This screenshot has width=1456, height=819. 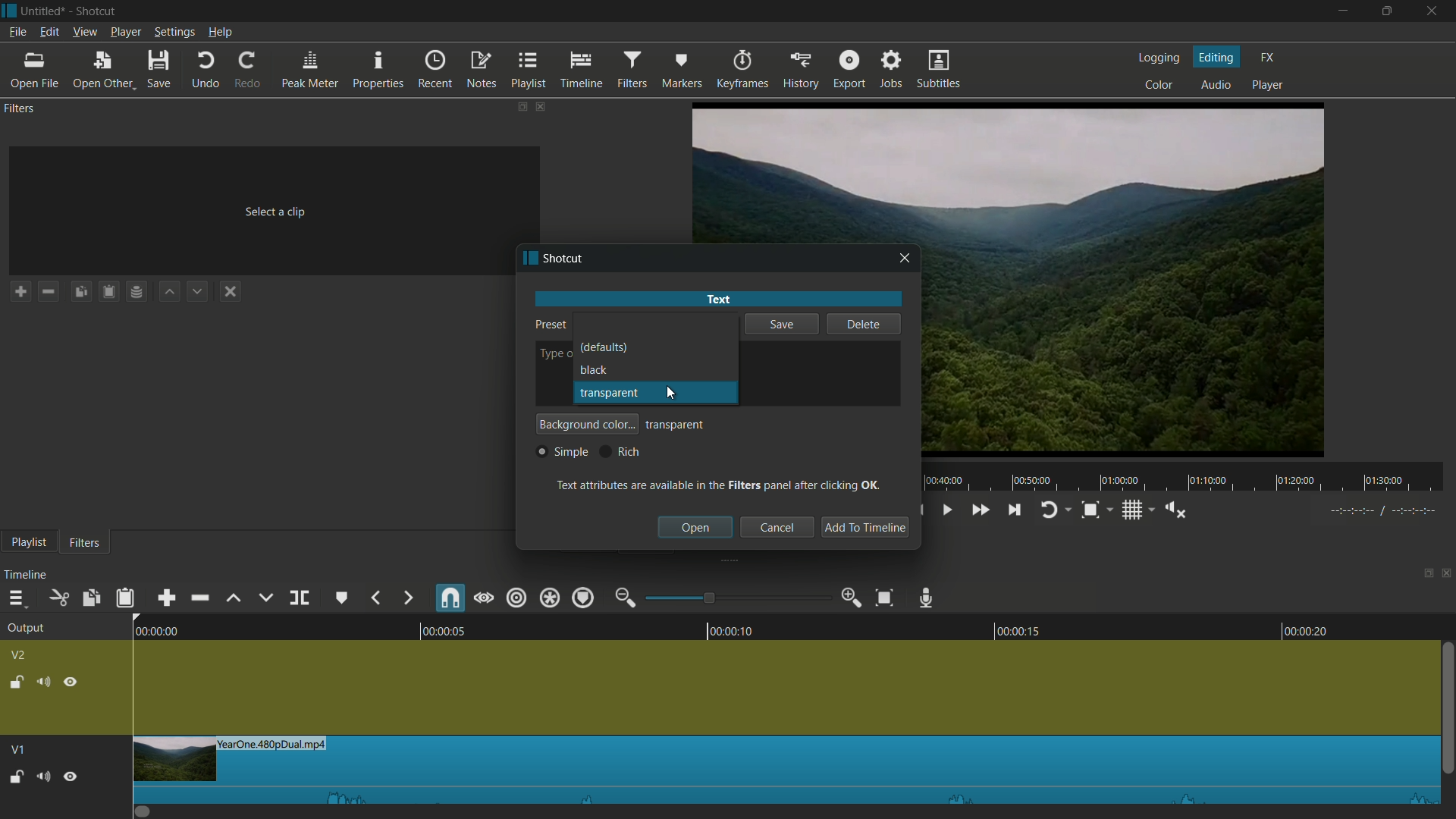 What do you see at coordinates (1162, 86) in the screenshot?
I see `color` at bounding box center [1162, 86].